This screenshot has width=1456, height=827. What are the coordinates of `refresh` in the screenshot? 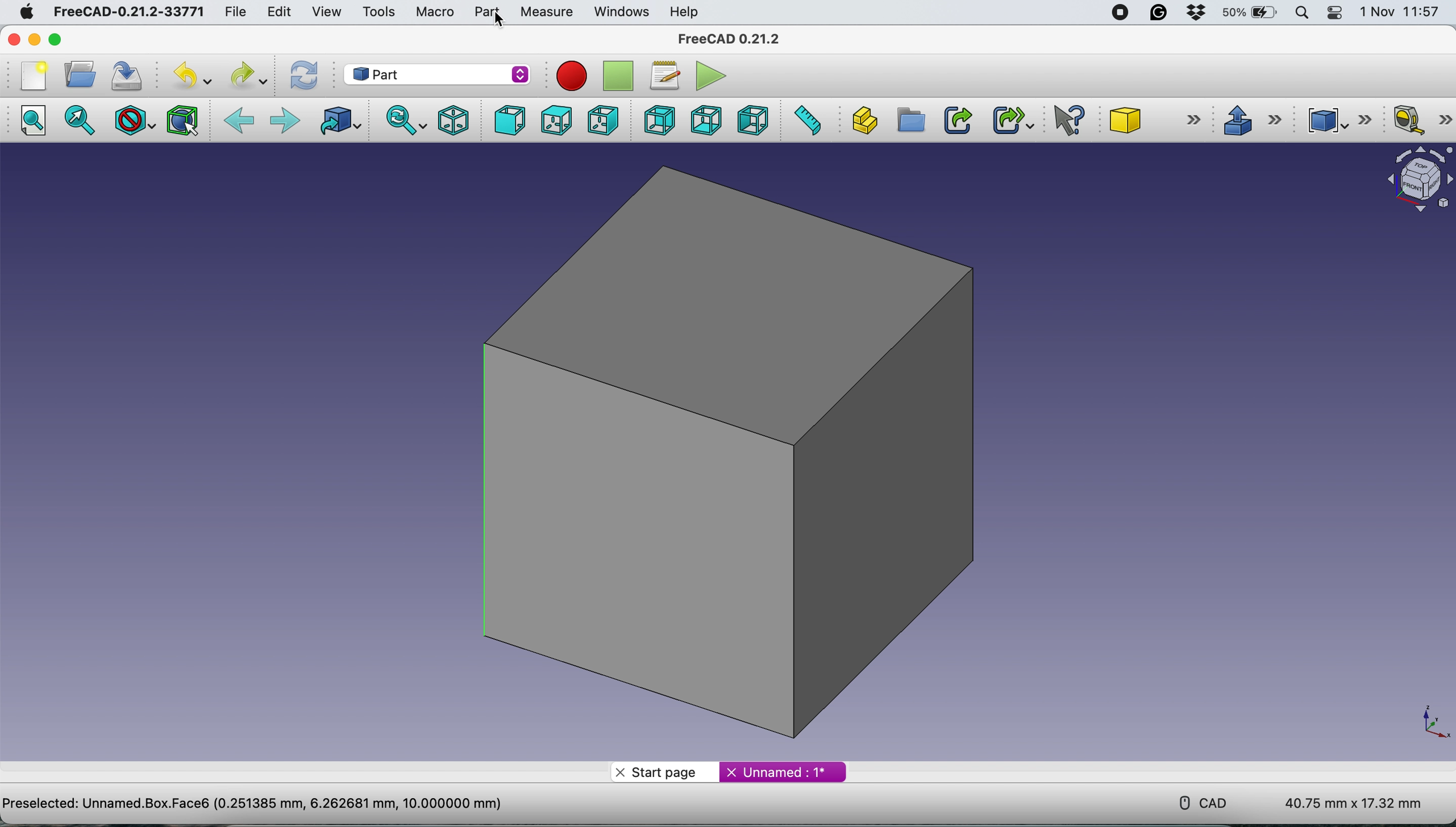 It's located at (302, 76).